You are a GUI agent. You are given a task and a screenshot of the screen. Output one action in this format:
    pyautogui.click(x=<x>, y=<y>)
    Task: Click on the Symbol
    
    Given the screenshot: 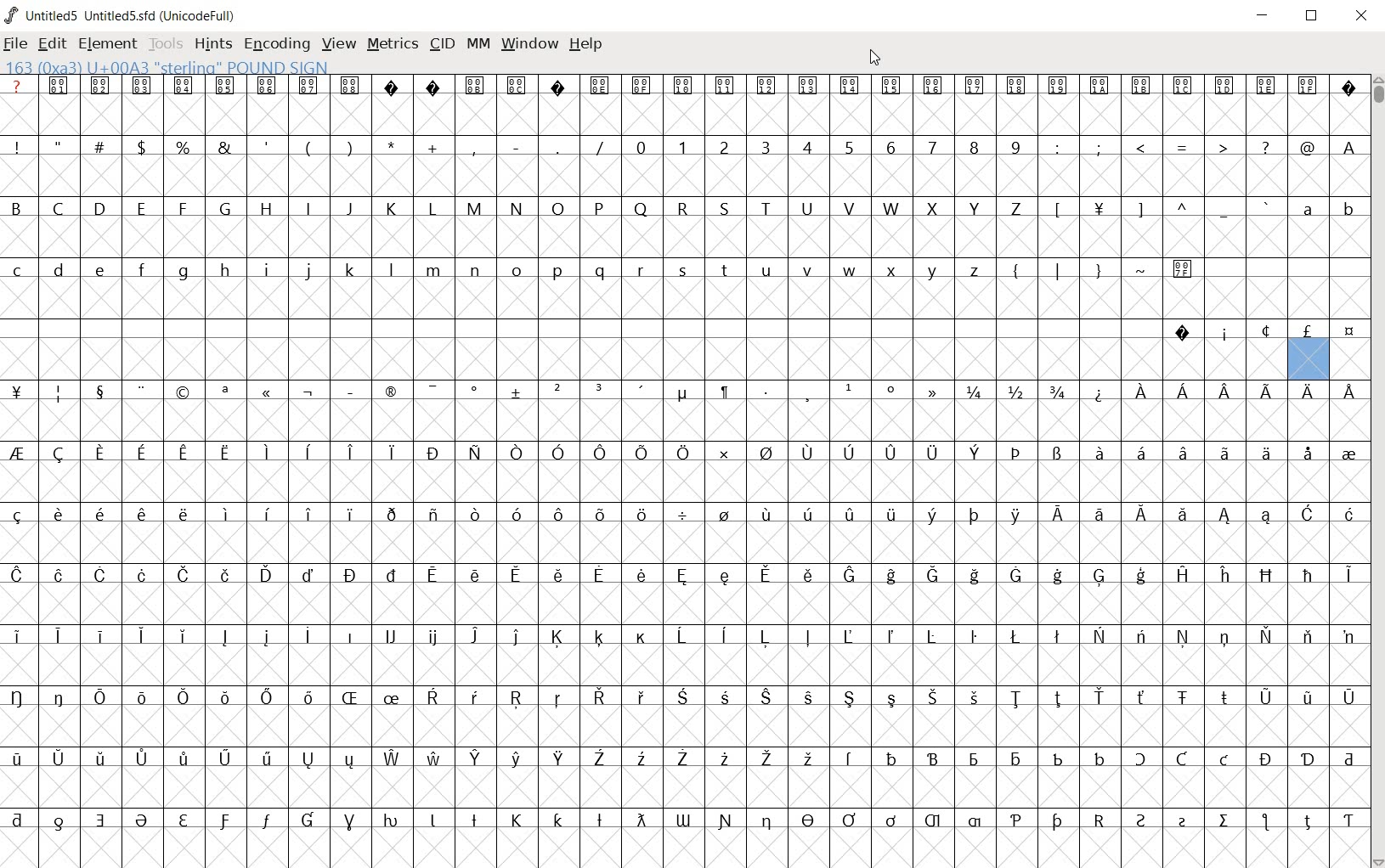 What is the action you would take?
    pyautogui.click(x=474, y=453)
    